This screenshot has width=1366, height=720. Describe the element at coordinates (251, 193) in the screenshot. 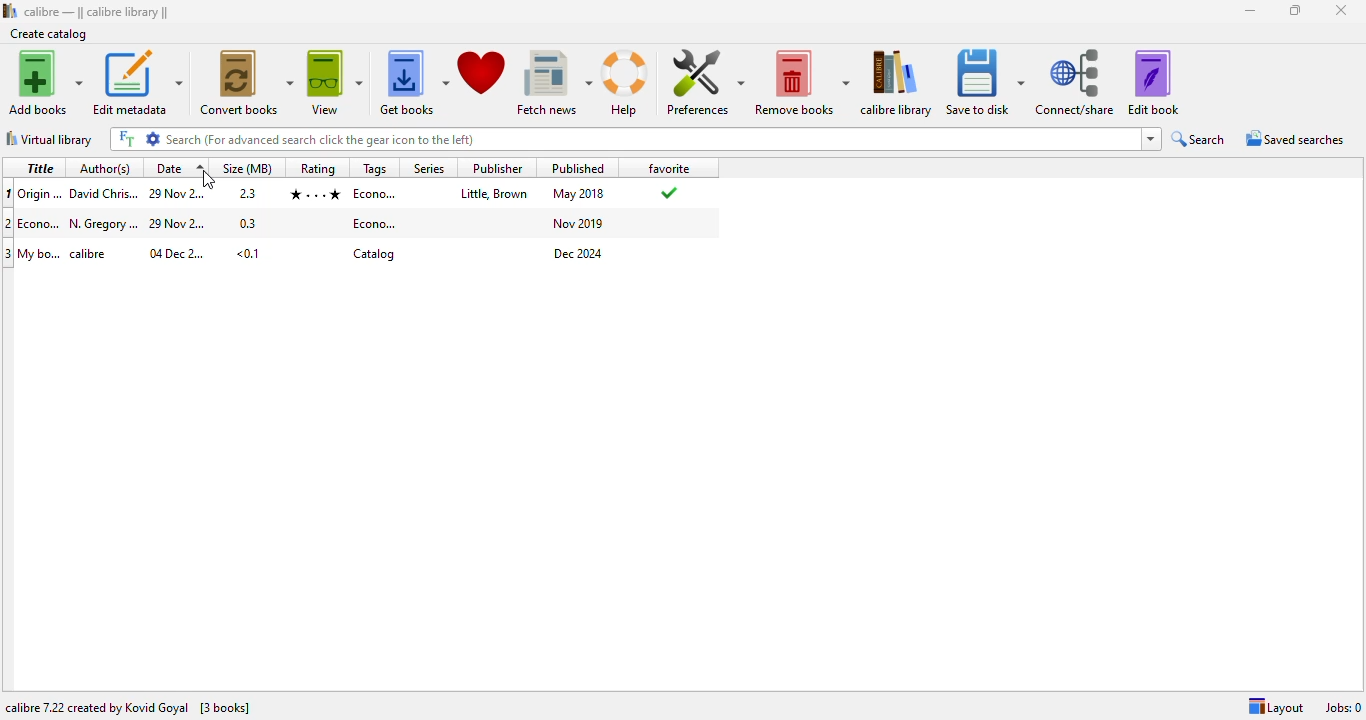

I see `size in mbs` at that location.